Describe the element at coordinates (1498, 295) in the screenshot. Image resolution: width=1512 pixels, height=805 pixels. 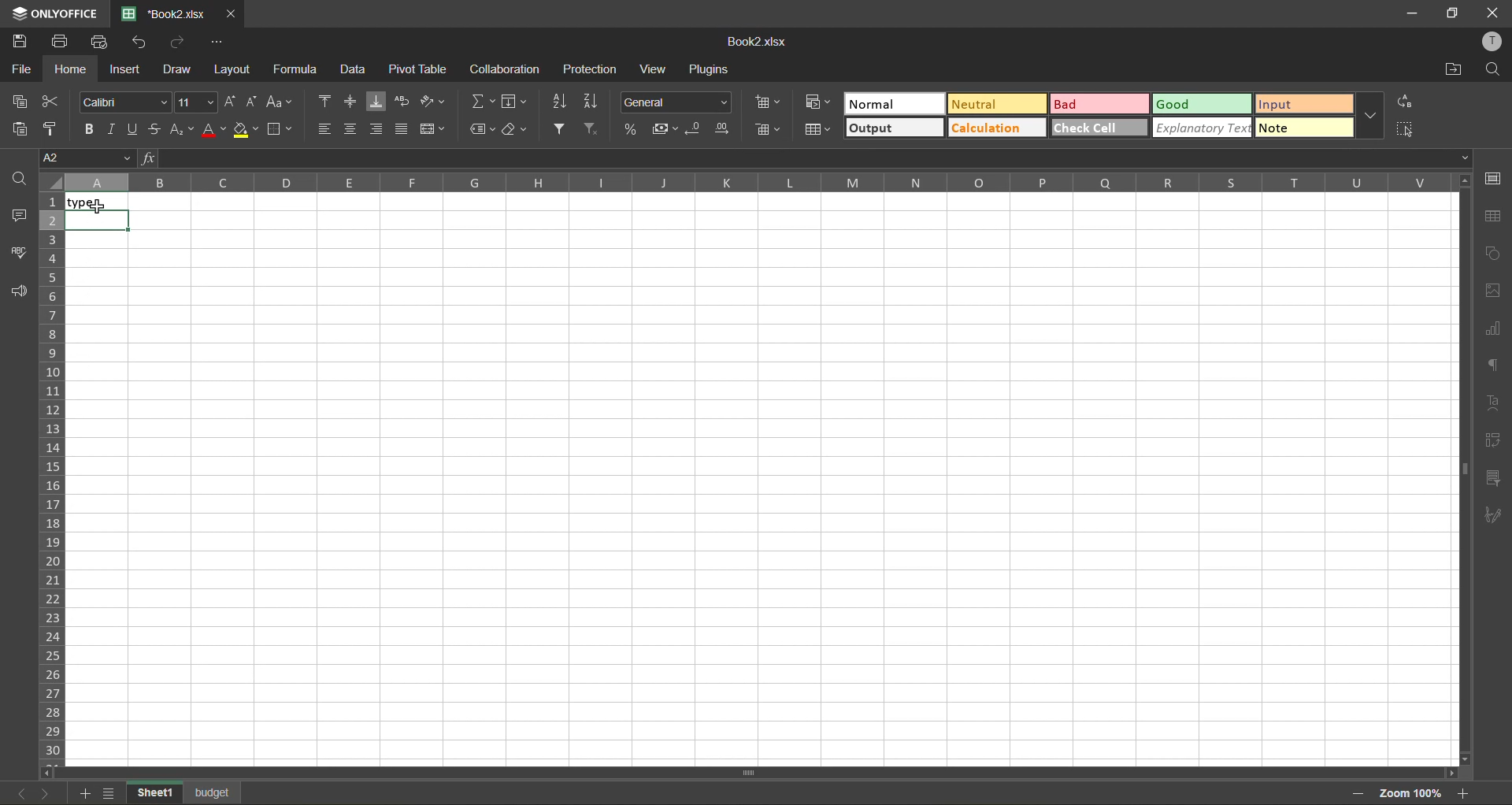
I see `images` at that location.